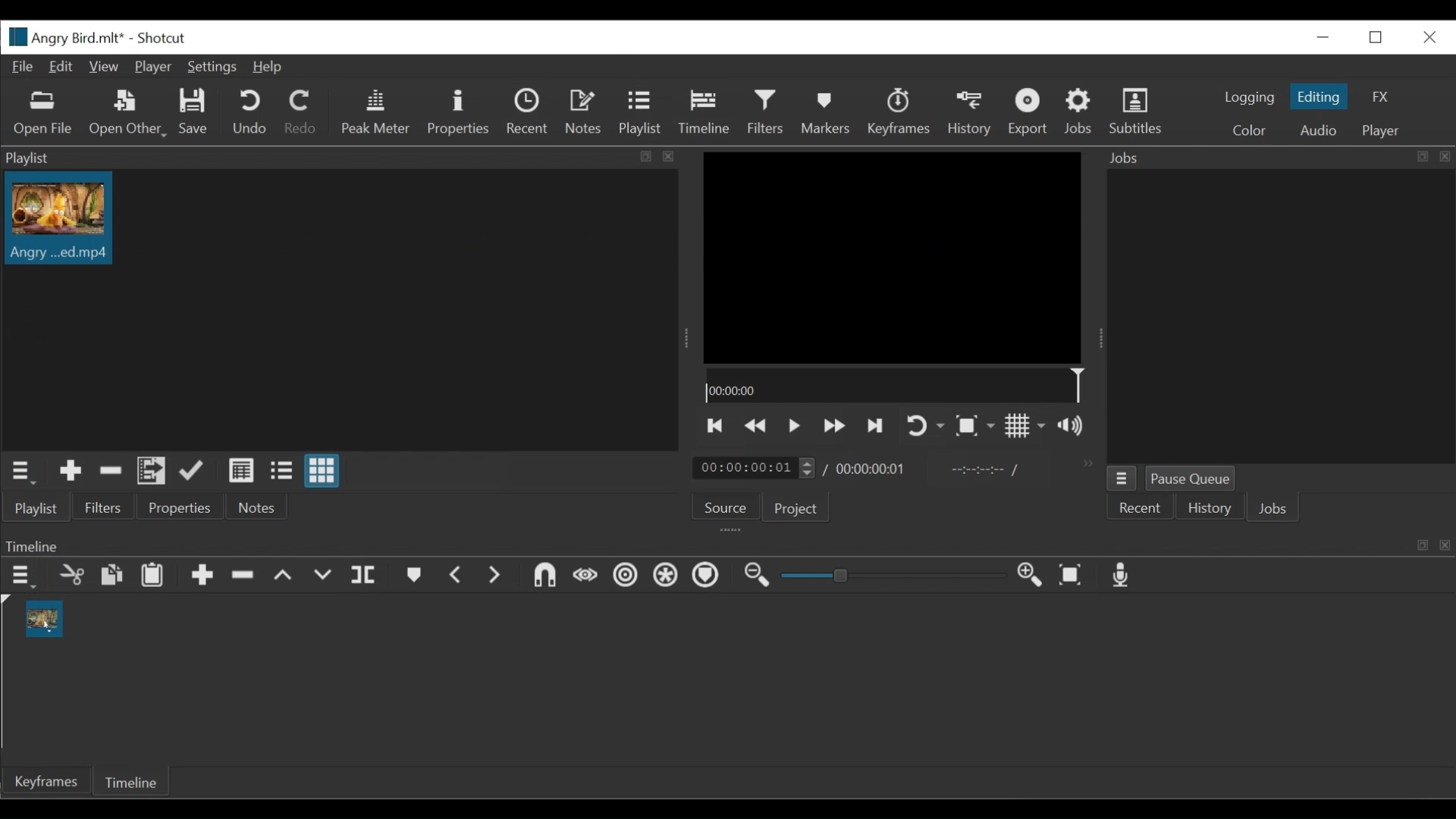 The image size is (1456, 819). What do you see at coordinates (827, 114) in the screenshot?
I see `Markers` at bounding box center [827, 114].